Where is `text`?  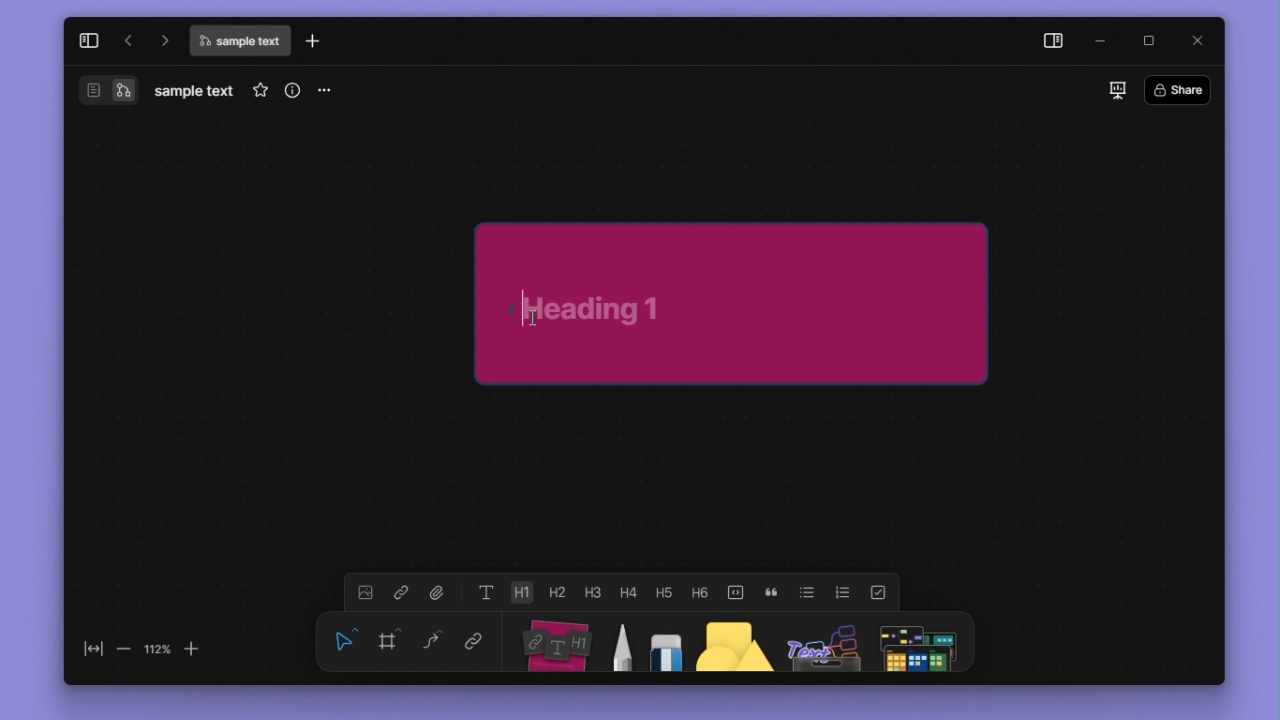
text is located at coordinates (487, 592).